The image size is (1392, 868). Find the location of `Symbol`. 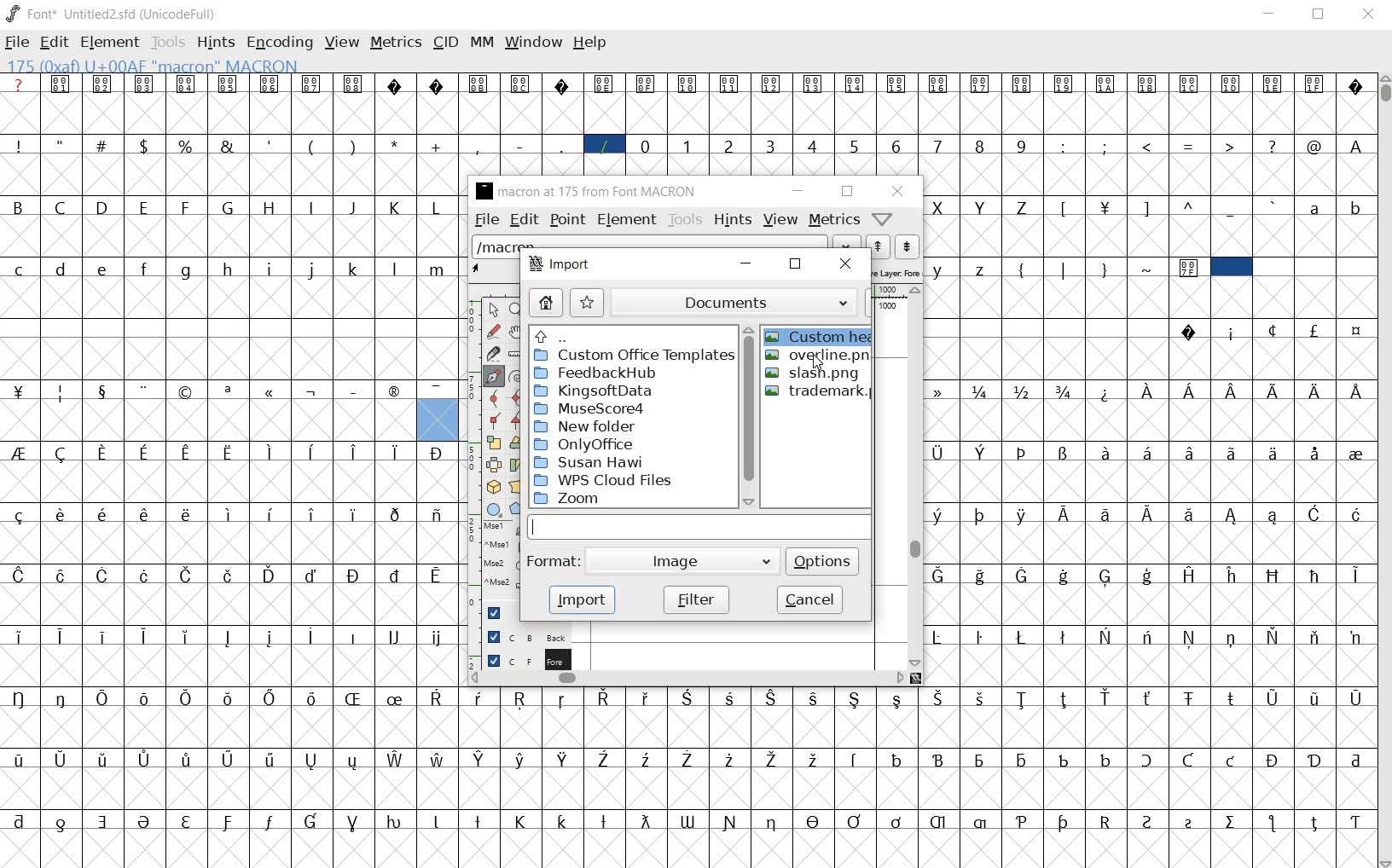

Symbol is located at coordinates (438, 454).